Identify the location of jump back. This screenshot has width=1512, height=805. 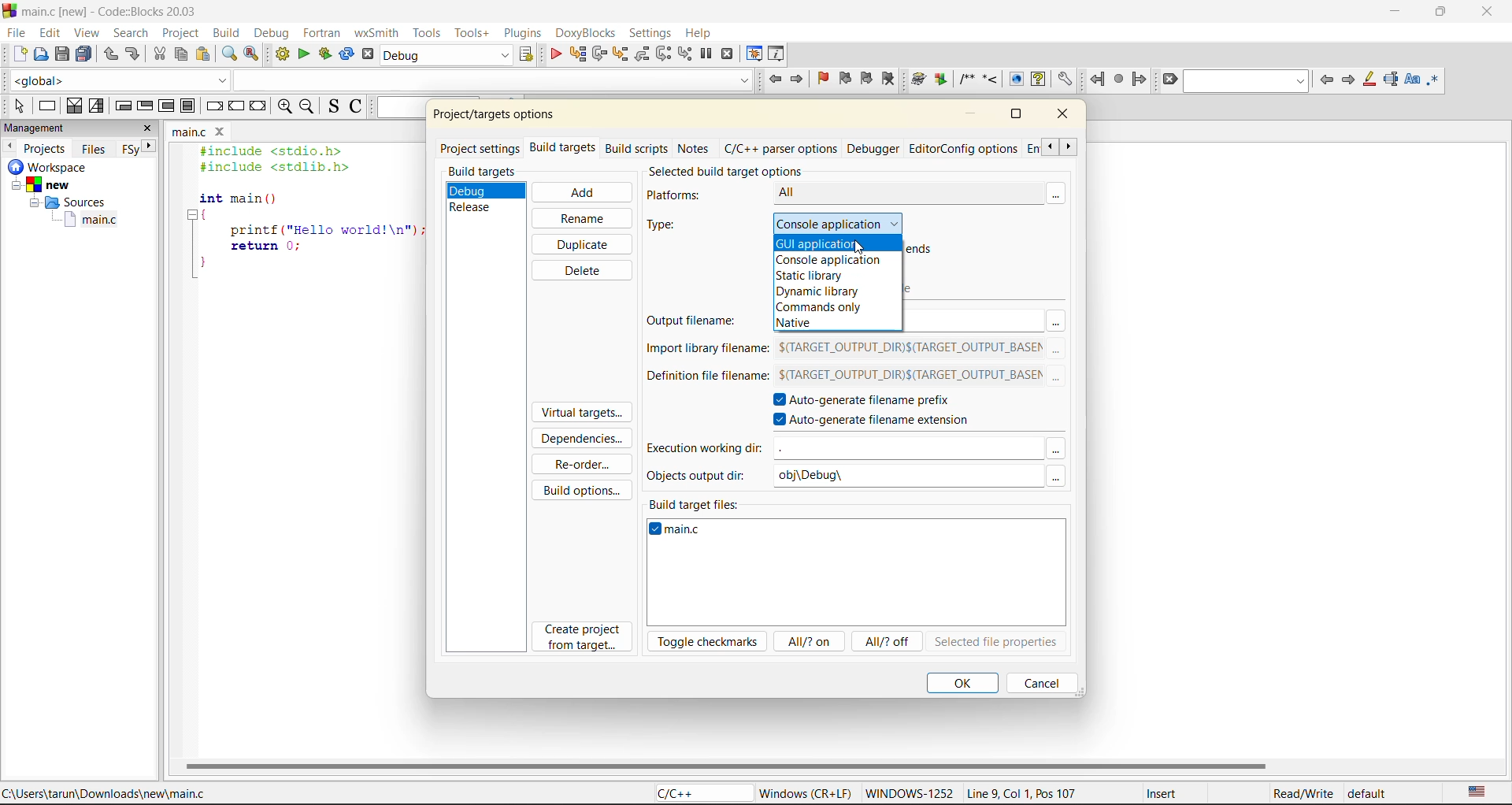
(1097, 80).